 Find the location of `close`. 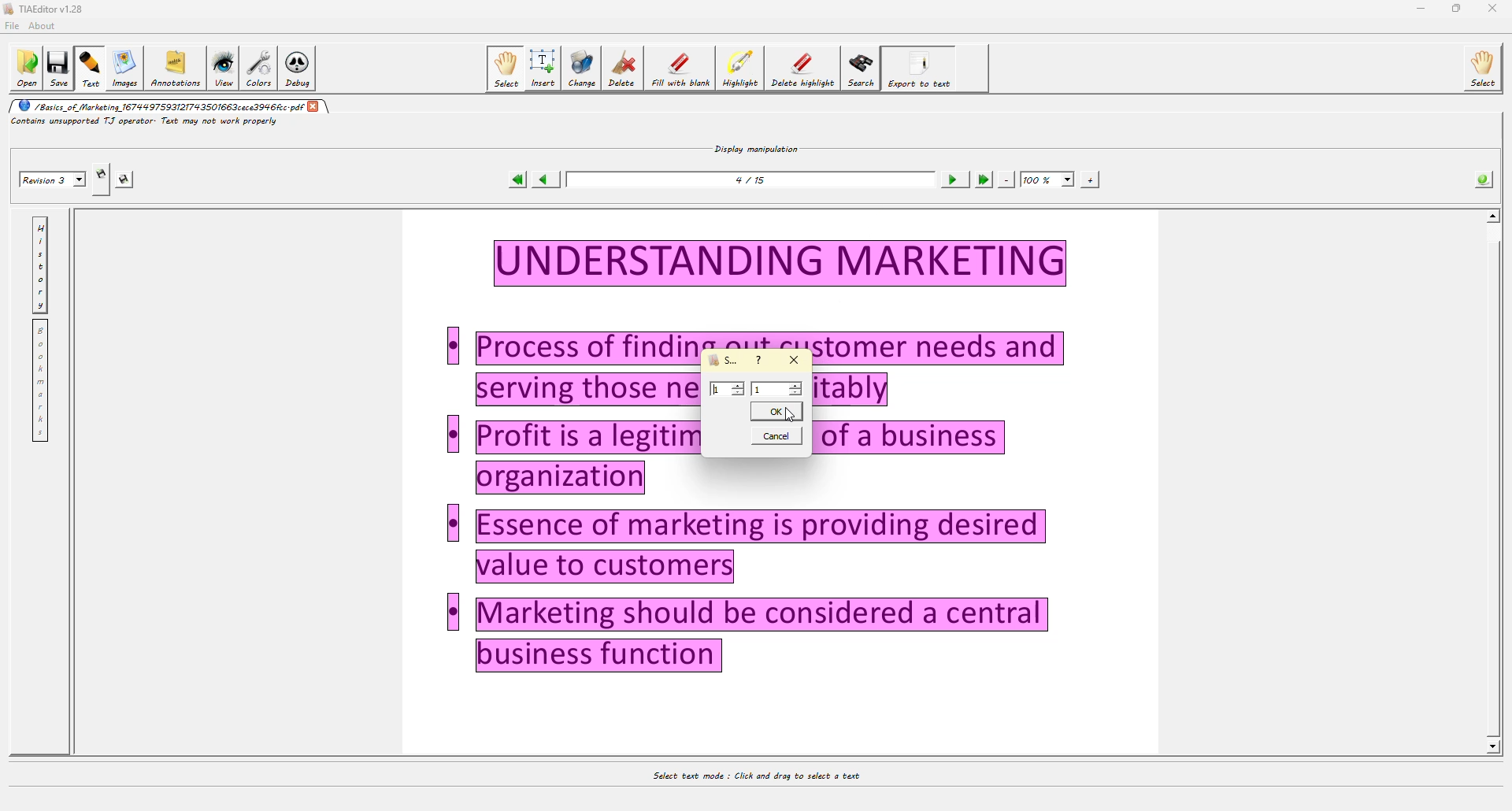

close is located at coordinates (795, 361).